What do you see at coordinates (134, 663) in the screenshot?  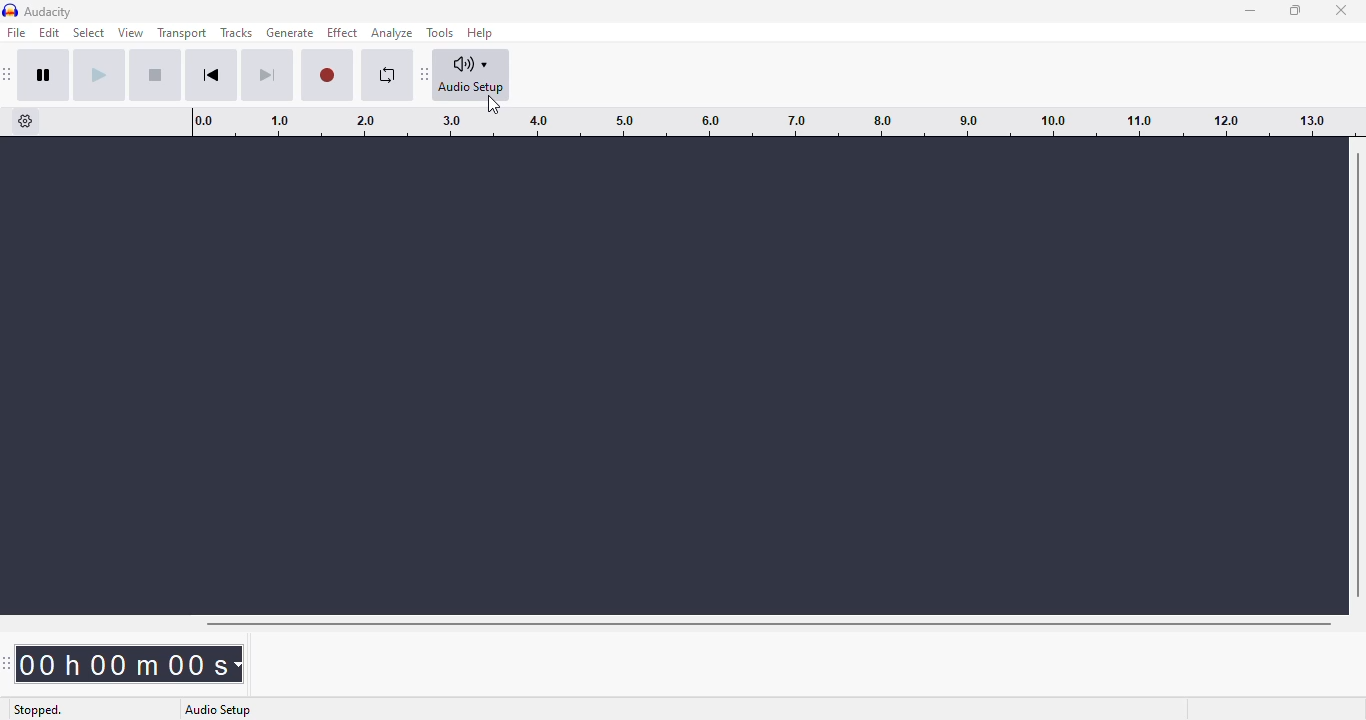 I see `time` at bounding box center [134, 663].